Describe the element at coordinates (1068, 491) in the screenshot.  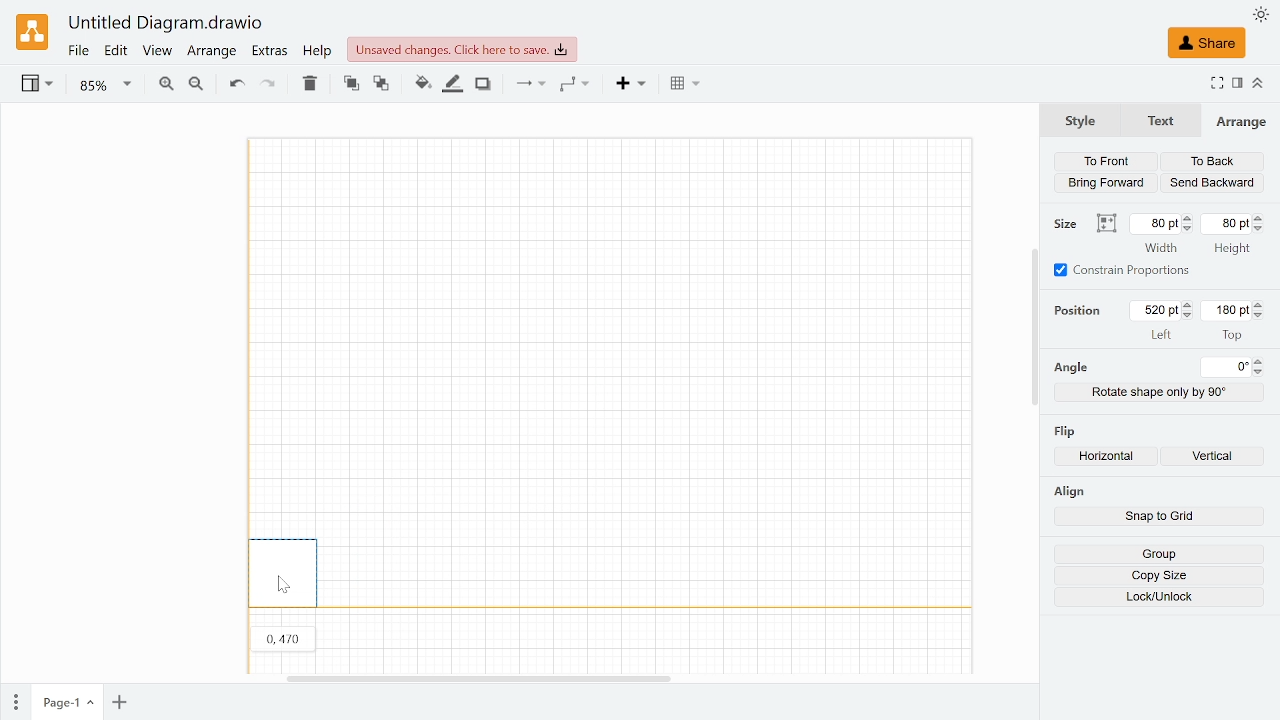
I see `align` at that location.